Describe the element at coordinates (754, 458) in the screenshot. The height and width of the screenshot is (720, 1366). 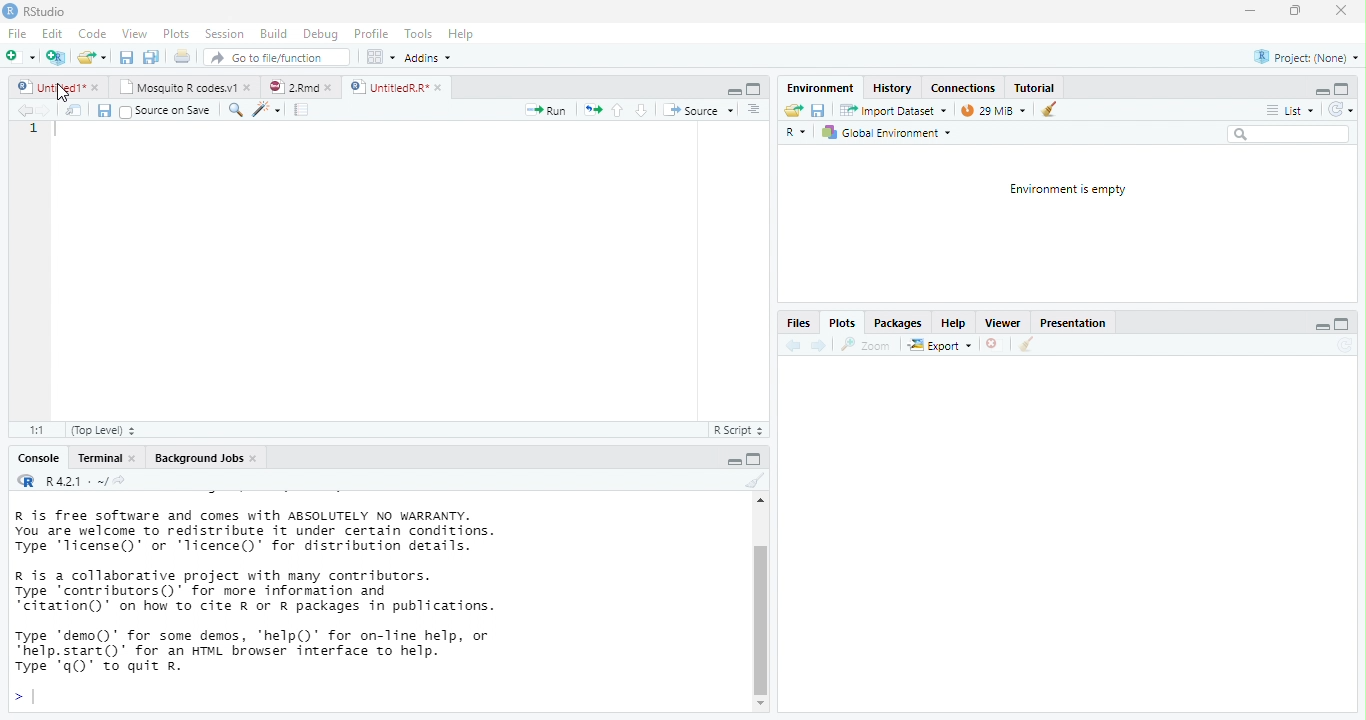
I see `minimize` at that location.